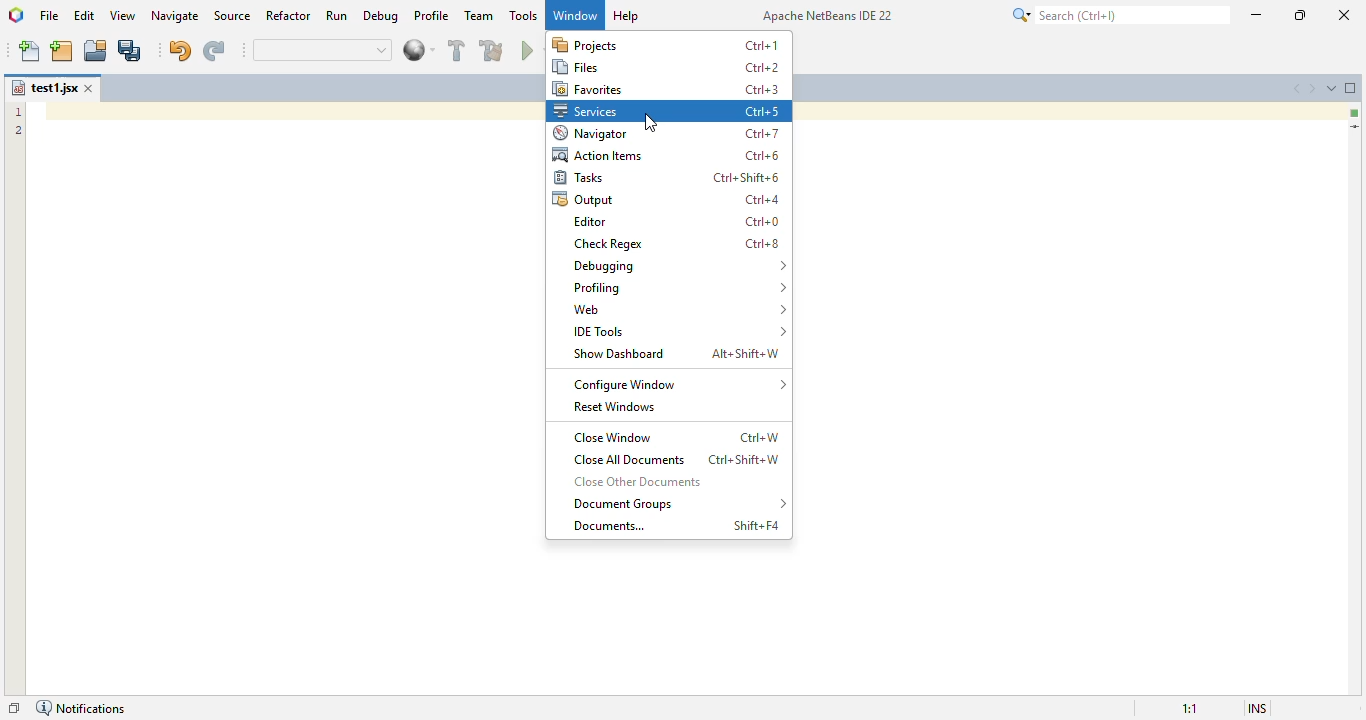 The width and height of the screenshot is (1366, 720). Describe the element at coordinates (44, 87) in the screenshot. I see `file name` at that location.